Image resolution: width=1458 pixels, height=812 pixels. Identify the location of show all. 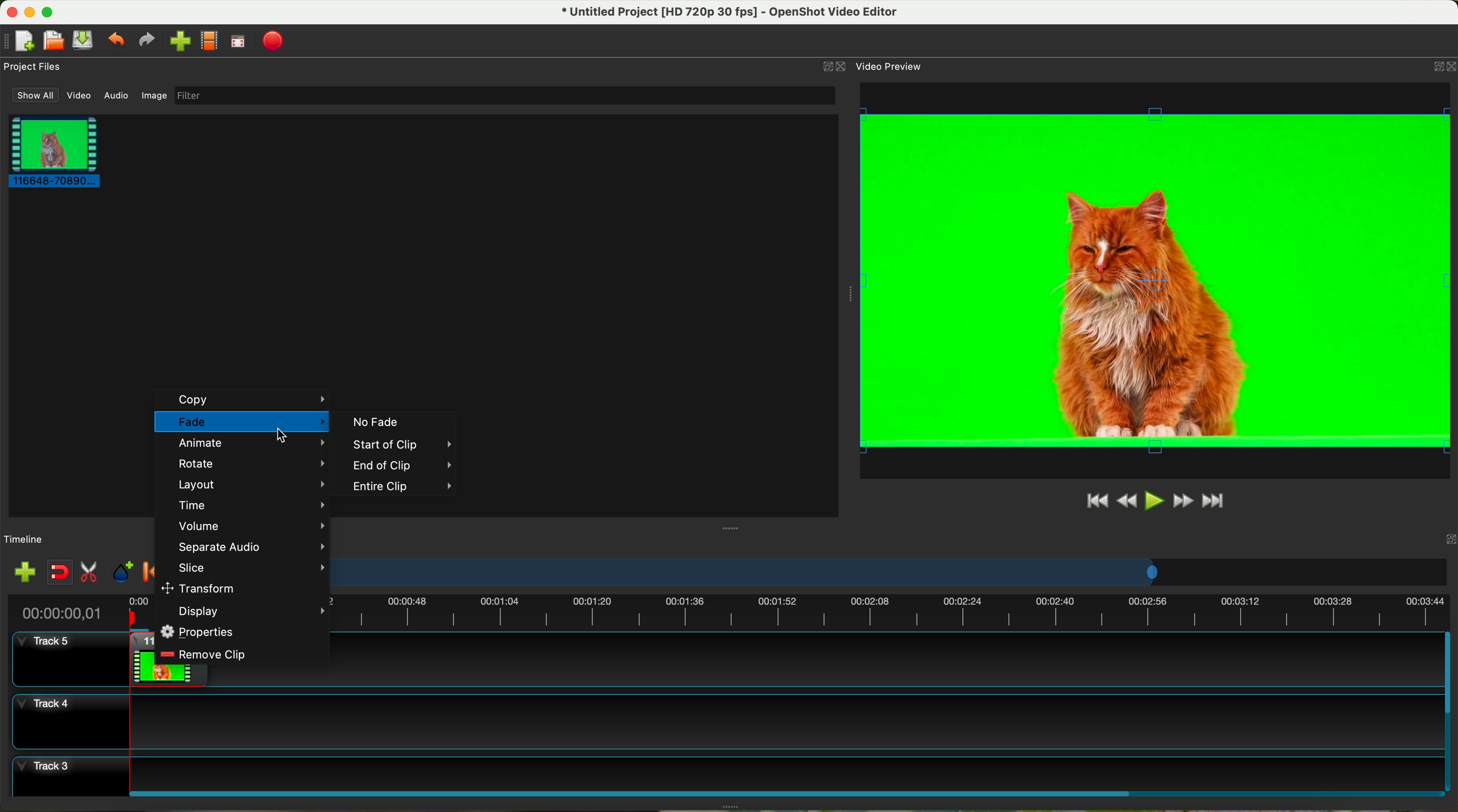
(33, 95).